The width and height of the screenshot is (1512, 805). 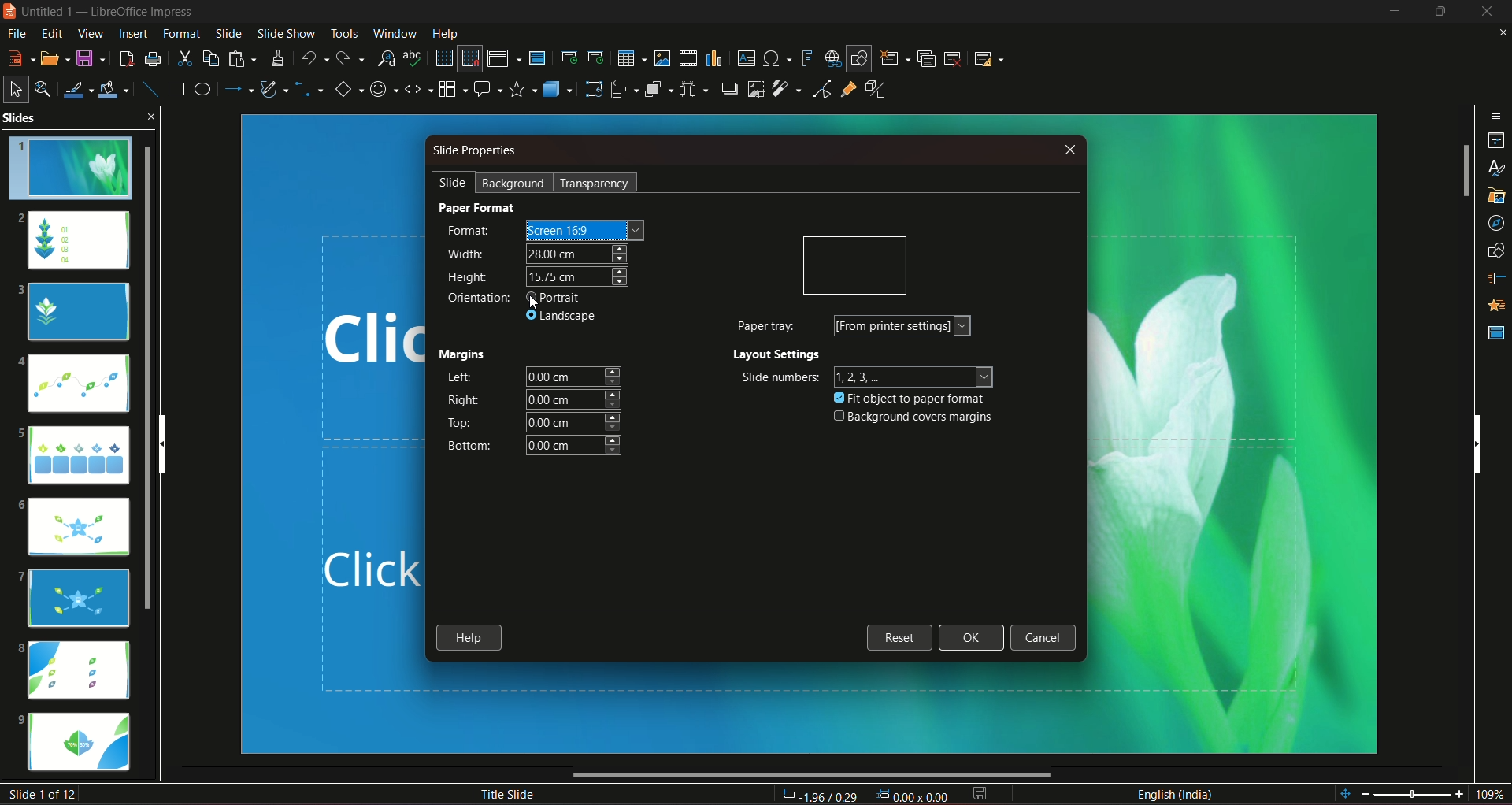 I want to click on master slide, so click(x=539, y=57).